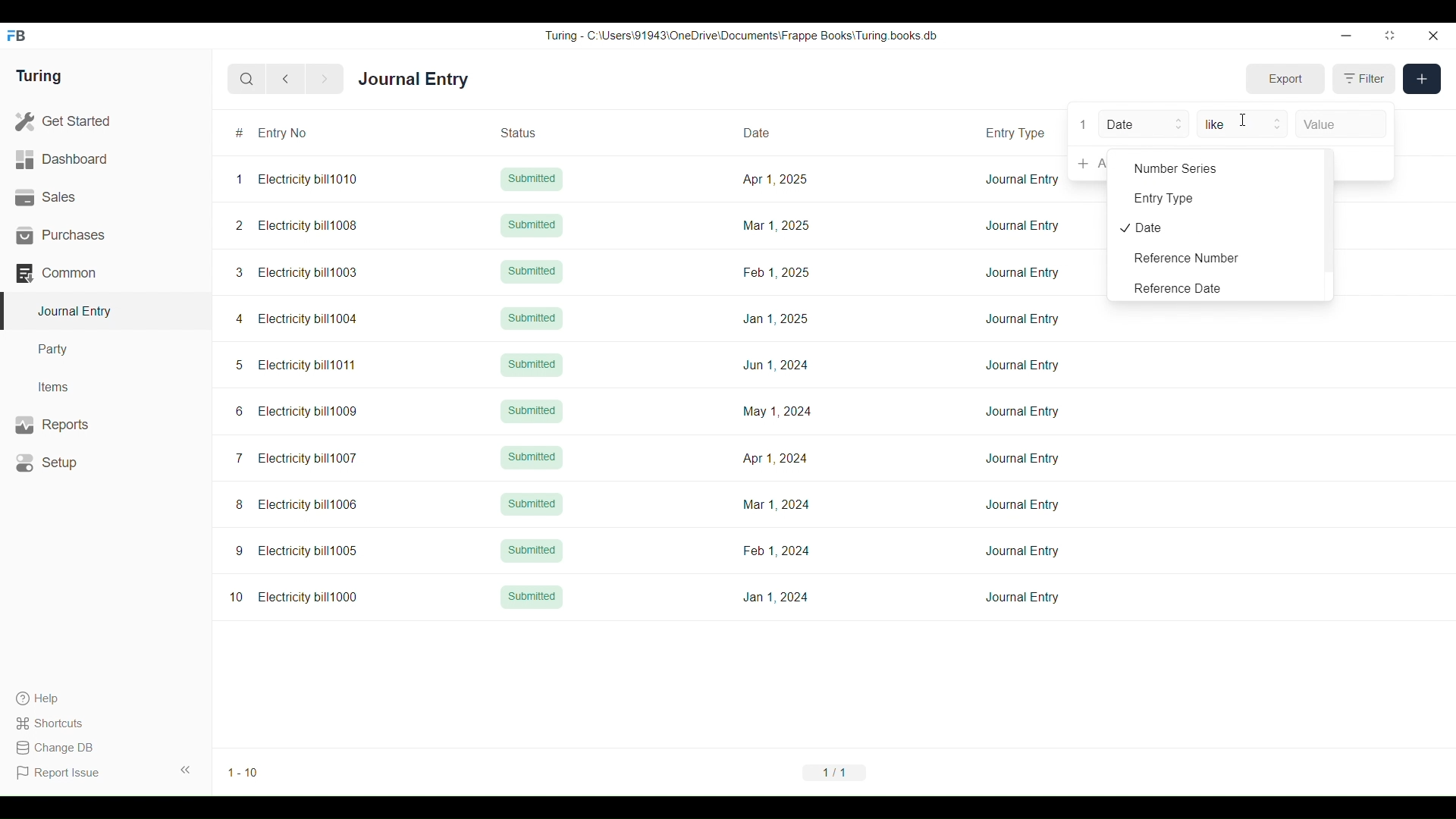 This screenshot has height=819, width=1456. I want to click on 10 Electricity bill1000, so click(294, 597).